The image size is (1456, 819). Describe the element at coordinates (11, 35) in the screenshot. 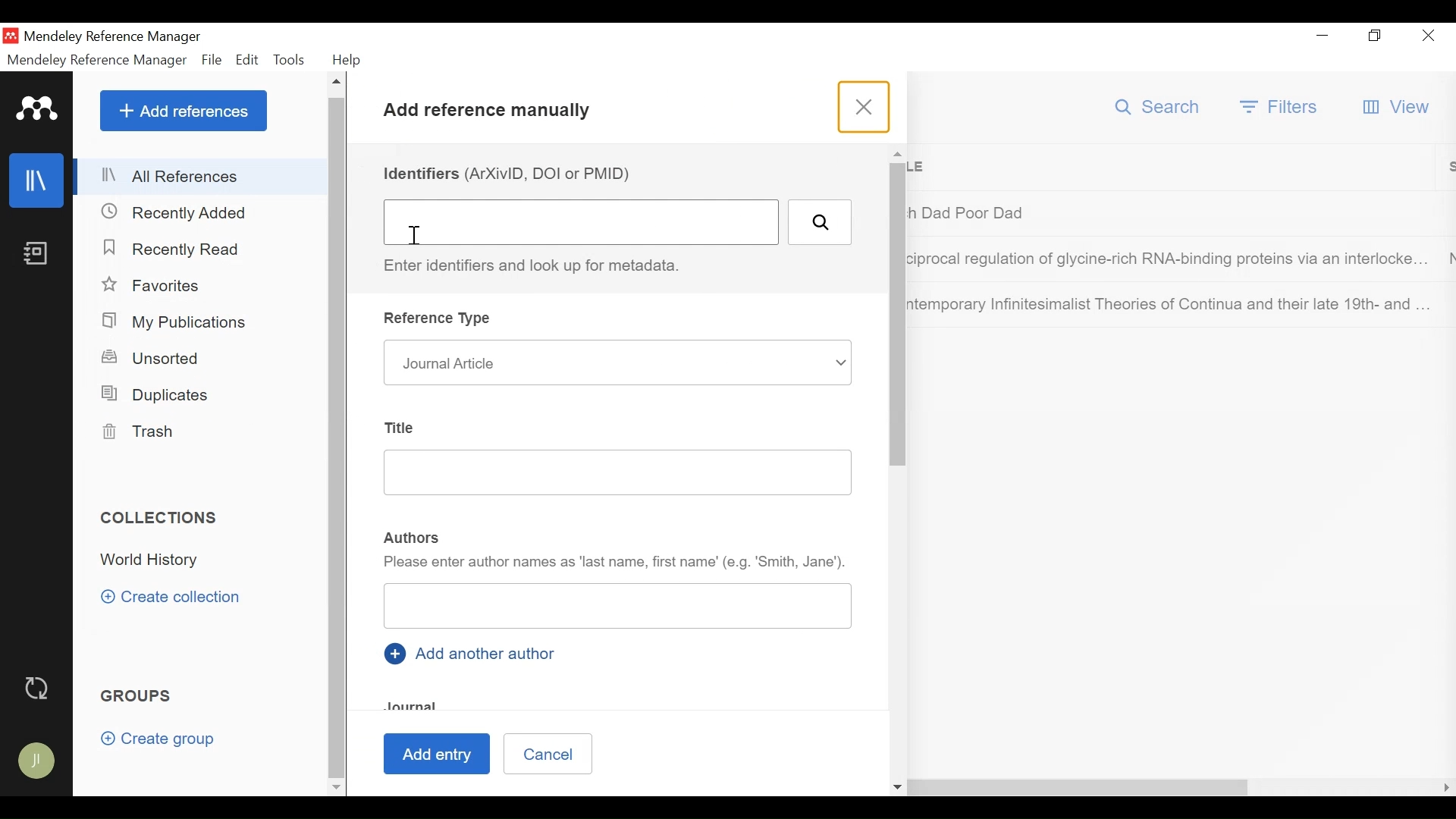

I see `Mendeley Desktop Icon` at that location.